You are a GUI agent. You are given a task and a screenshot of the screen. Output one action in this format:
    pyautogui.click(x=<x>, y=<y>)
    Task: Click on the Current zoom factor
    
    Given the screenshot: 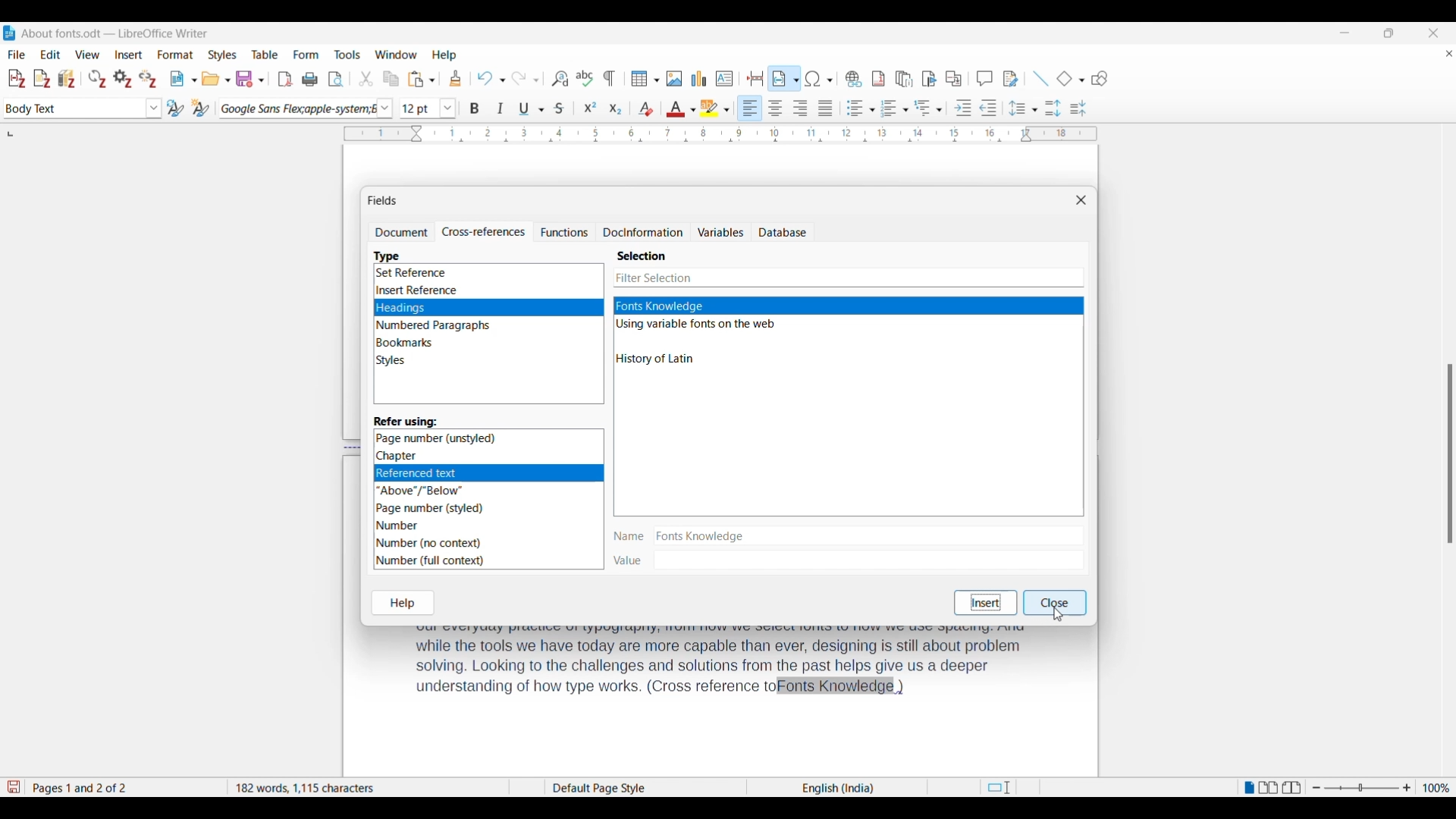 What is the action you would take?
    pyautogui.click(x=1436, y=788)
    